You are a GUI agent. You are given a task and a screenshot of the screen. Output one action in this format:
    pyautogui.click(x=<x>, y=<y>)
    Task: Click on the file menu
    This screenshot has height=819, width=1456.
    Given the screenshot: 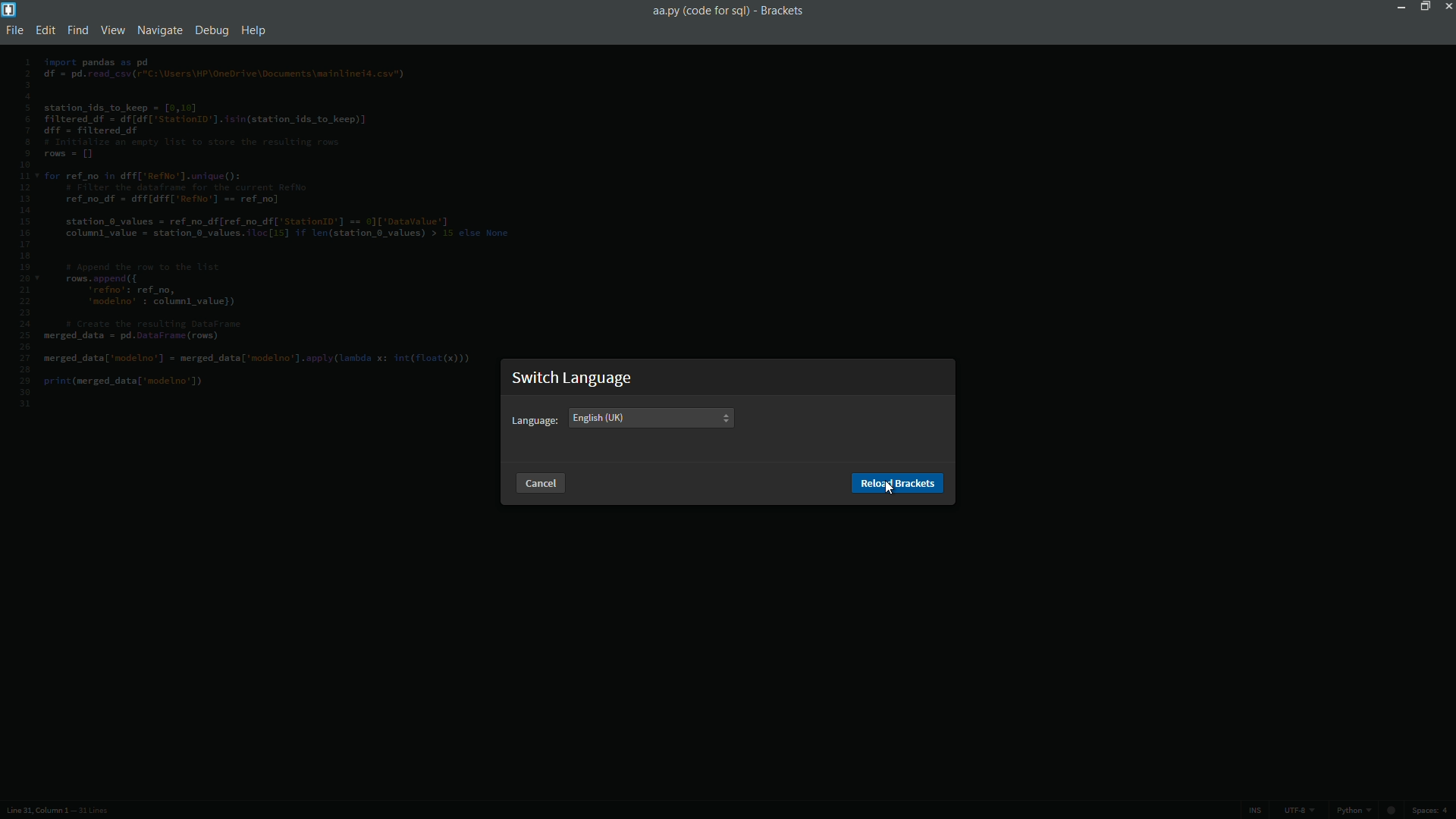 What is the action you would take?
    pyautogui.click(x=17, y=31)
    